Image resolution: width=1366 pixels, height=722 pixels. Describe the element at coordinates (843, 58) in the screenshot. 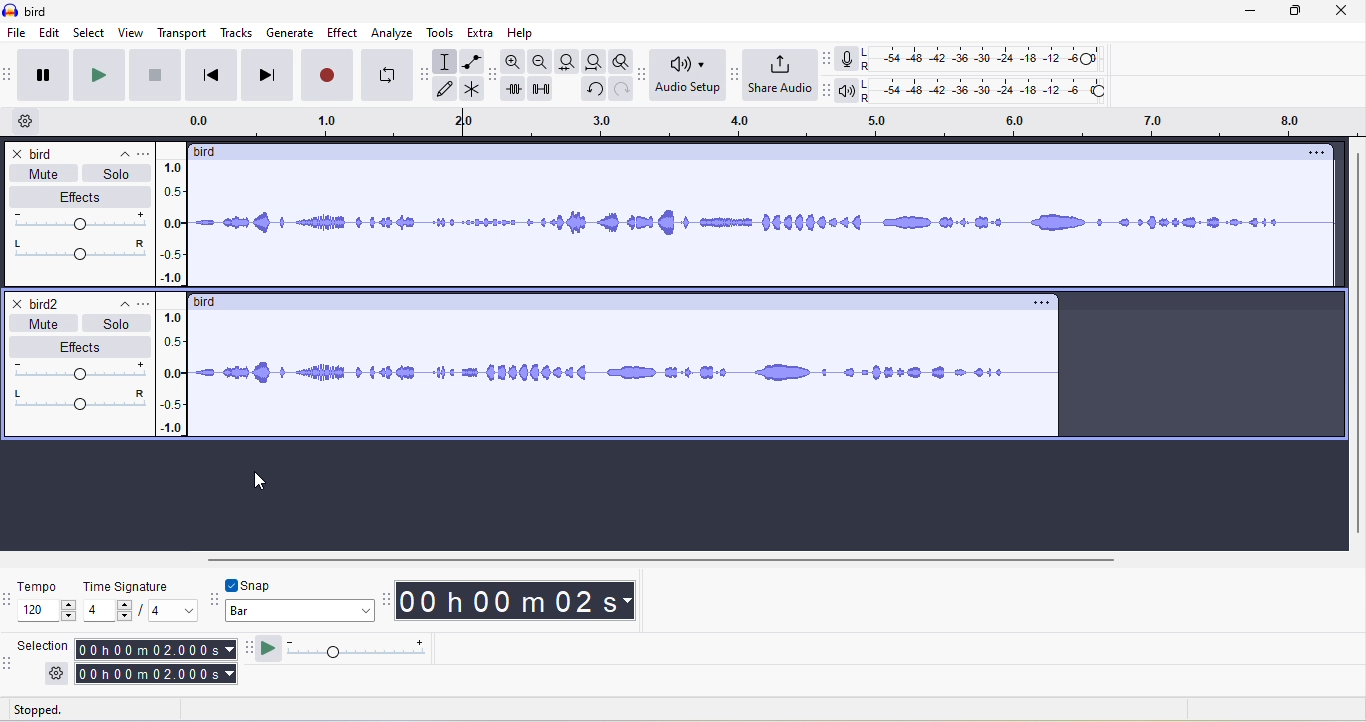

I see `record meter` at that location.